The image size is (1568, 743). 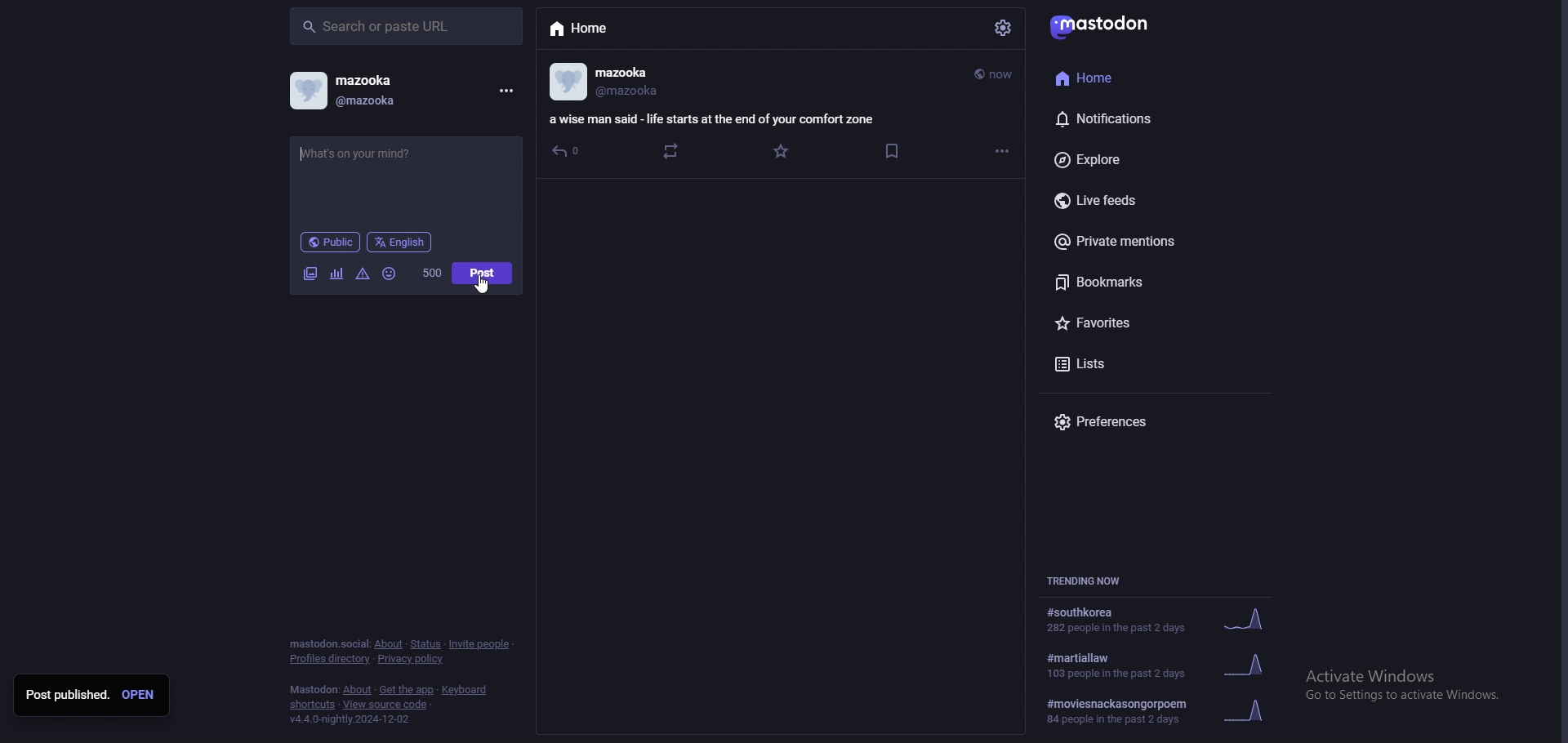 I want to click on invite people, so click(x=481, y=644).